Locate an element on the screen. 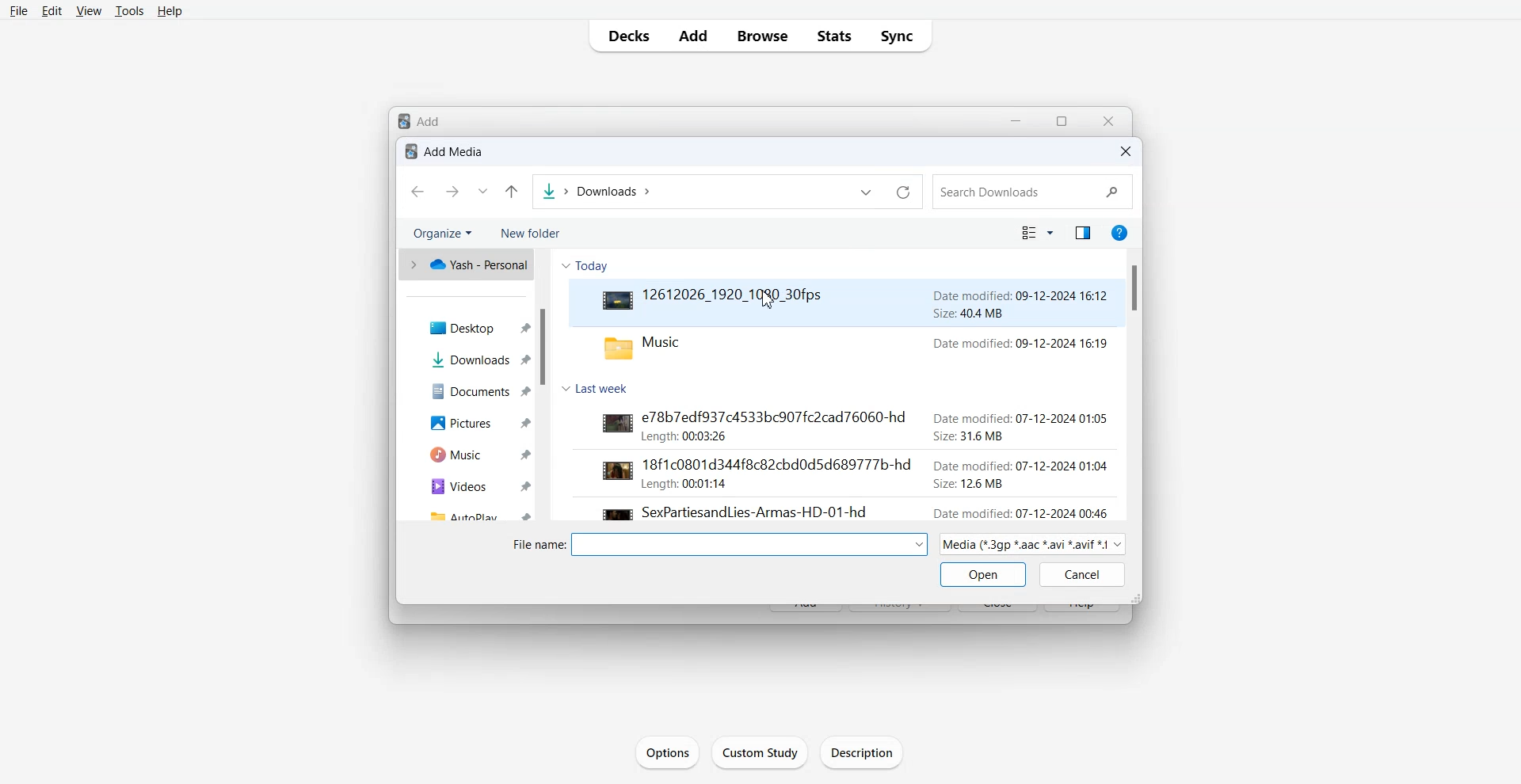 Image resolution: width=1521 pixels, height=784 pixels. File Path Adress is located at coordinates (598, 191).